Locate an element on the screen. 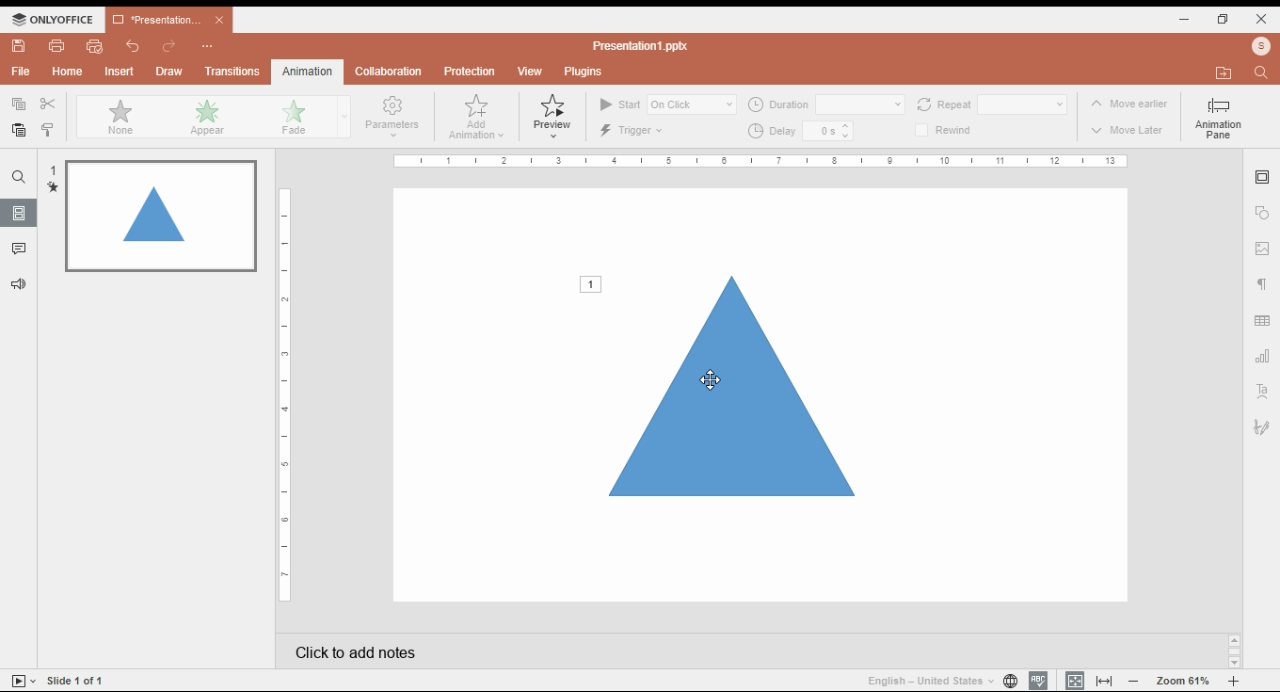 This screenshot has width=1280, height=692. animation is located at coordinates (310, 70).